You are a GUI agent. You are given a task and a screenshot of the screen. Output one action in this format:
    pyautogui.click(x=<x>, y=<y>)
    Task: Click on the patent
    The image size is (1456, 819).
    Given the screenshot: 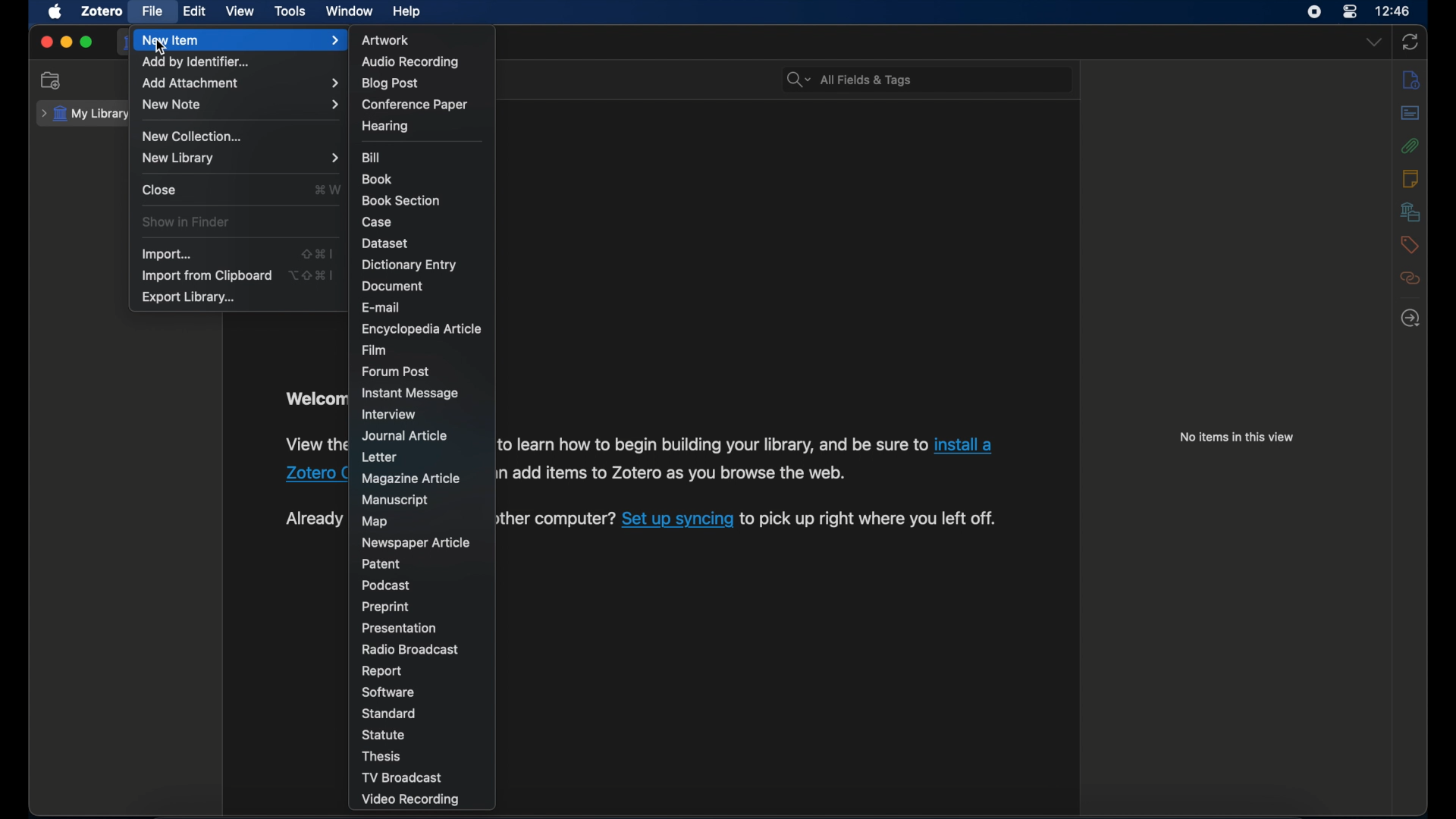 What is the action you would take?
    pyautogui.click(x=383, y=563)
    